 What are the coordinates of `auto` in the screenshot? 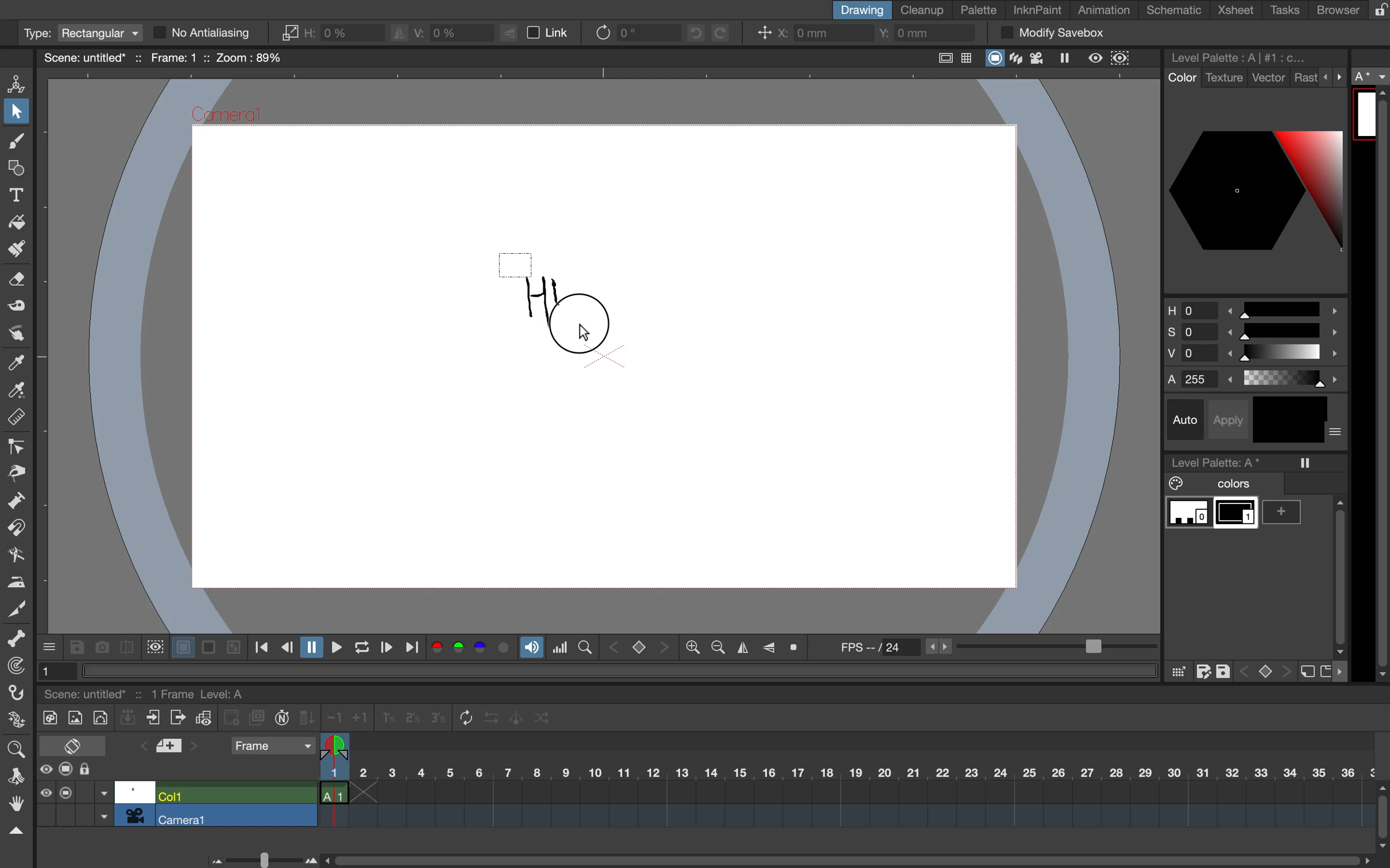 It's located at (1187, 420).